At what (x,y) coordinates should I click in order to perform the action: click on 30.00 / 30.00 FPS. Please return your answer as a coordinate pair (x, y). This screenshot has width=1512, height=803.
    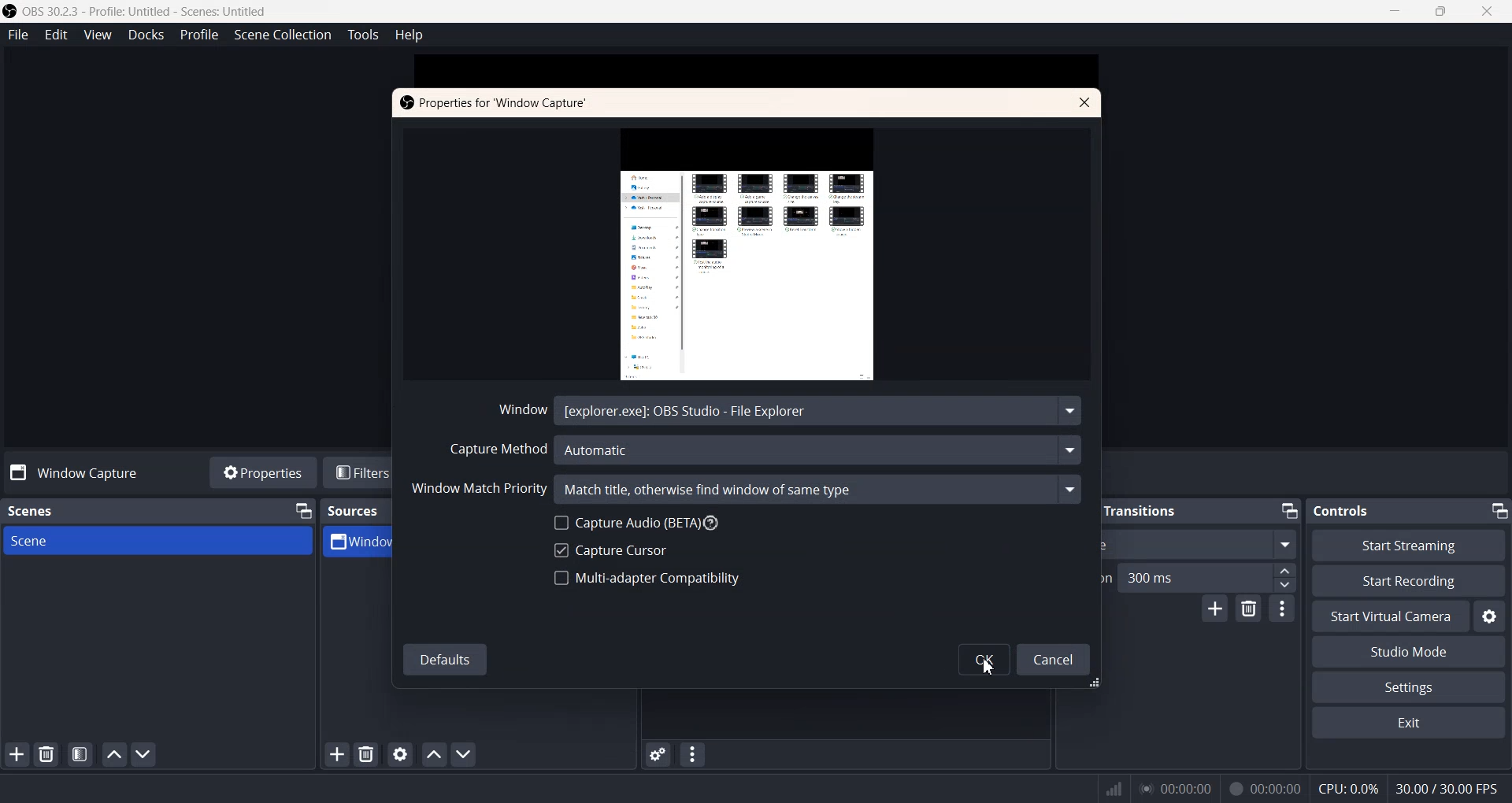
    Looking at the image, I should click on (1447, 787).